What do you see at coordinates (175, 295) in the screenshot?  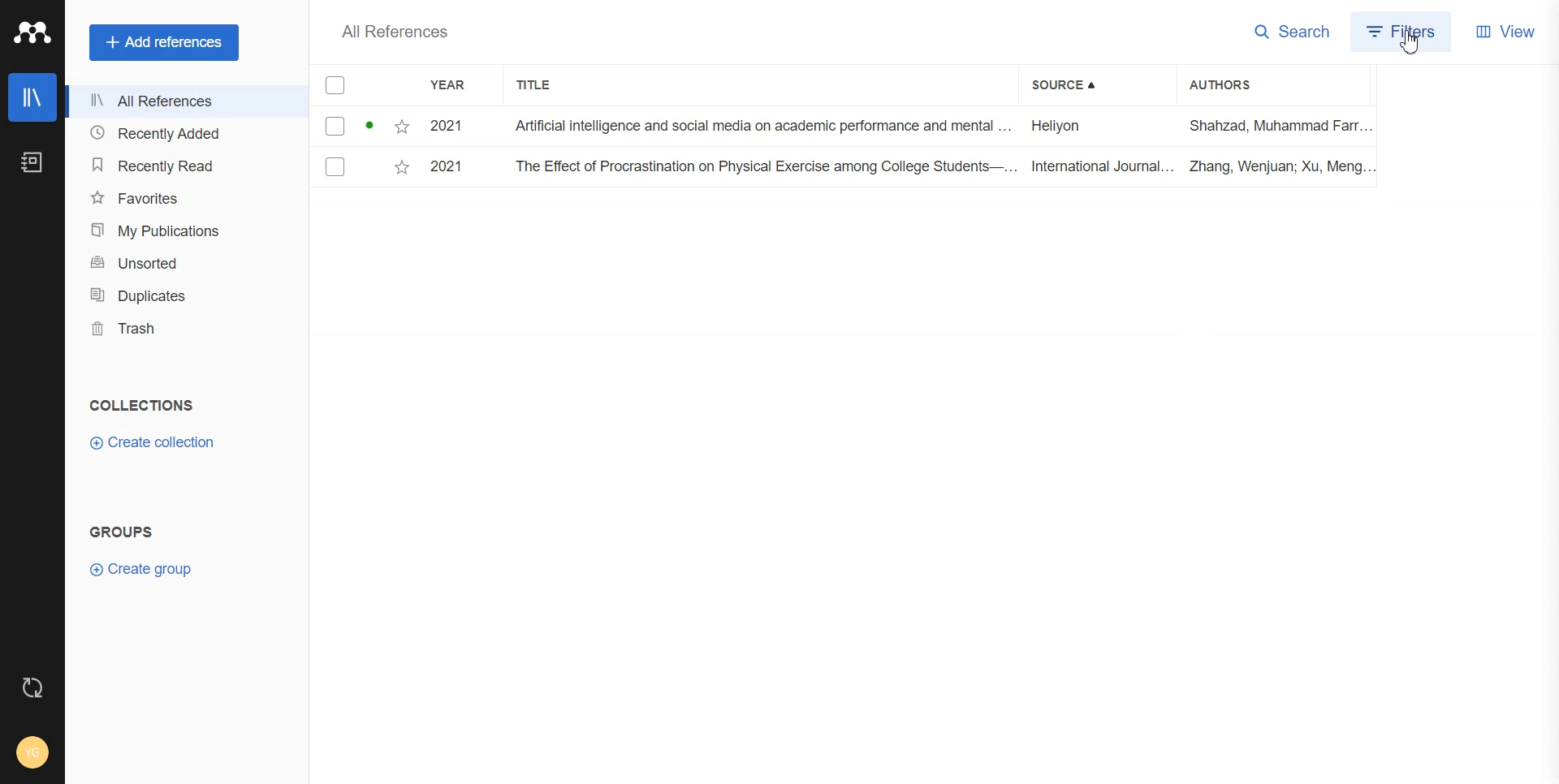 I see `Duplicates` at bounding box center [175, 295].